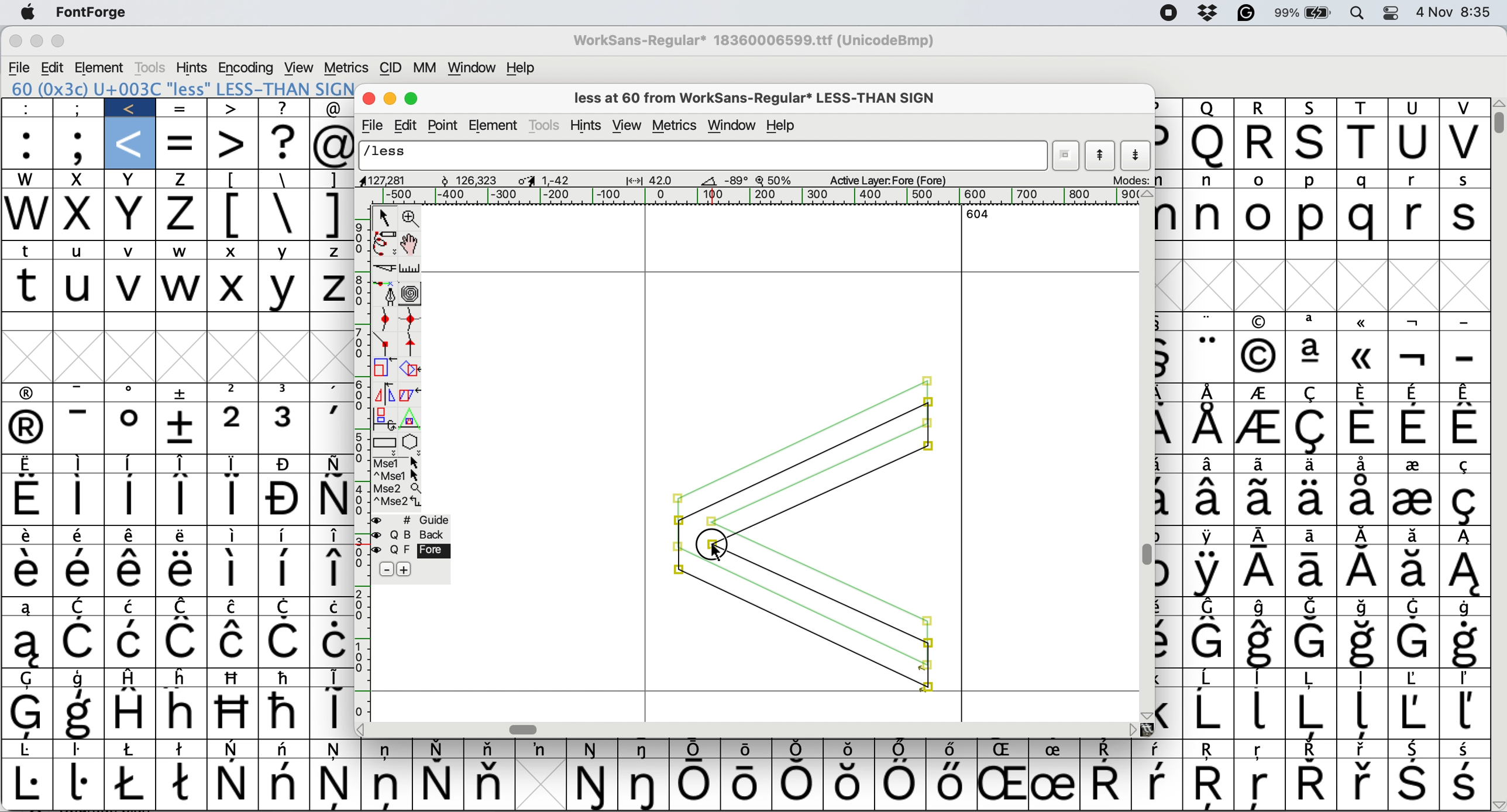 This screenshot has width=1507, height=812. What do you see at coordinates (182, 713) in the screenshot?
I see `Symbol` at bounding box center [182, 713].